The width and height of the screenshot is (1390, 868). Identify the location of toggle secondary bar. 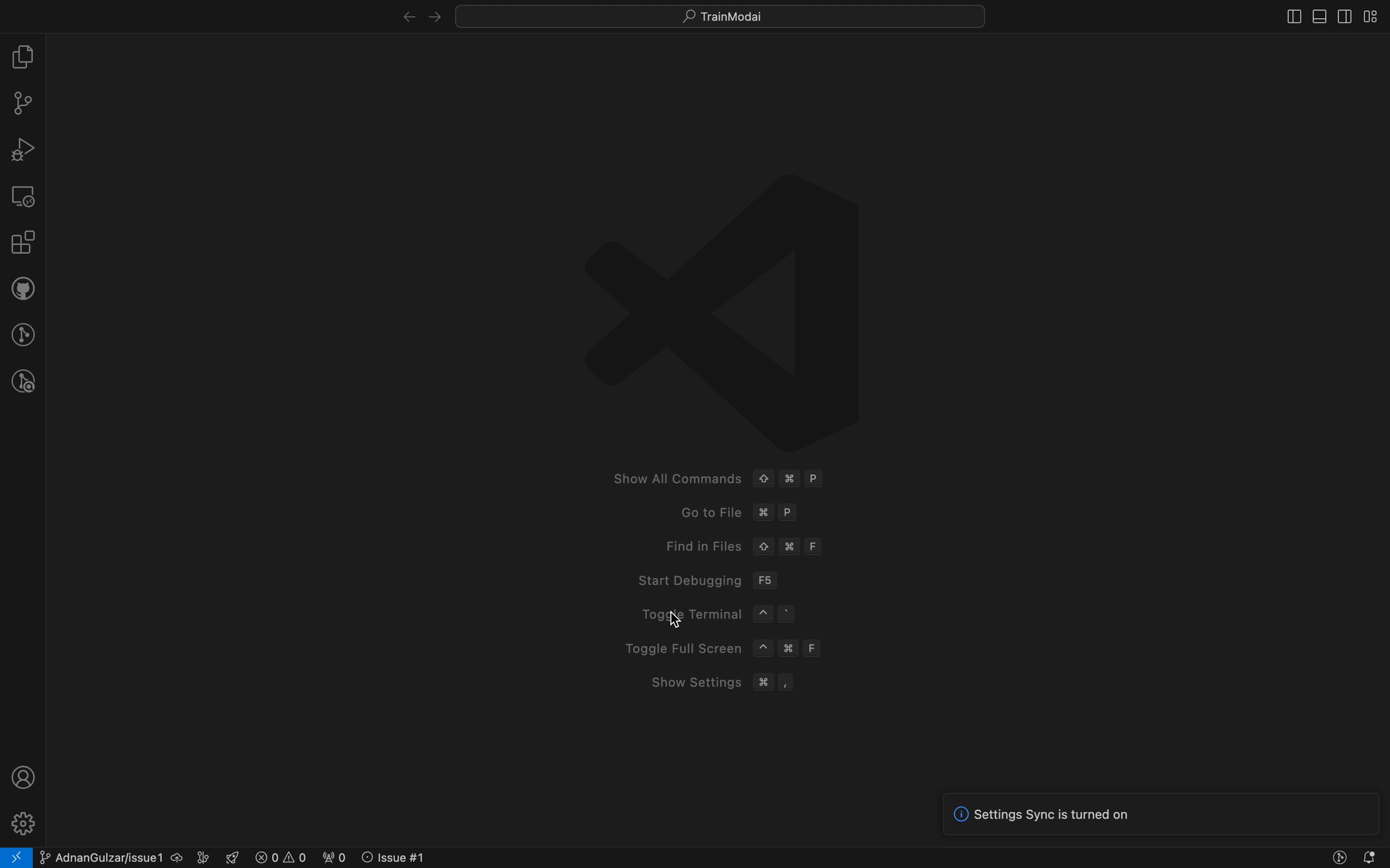
(1344, 16).